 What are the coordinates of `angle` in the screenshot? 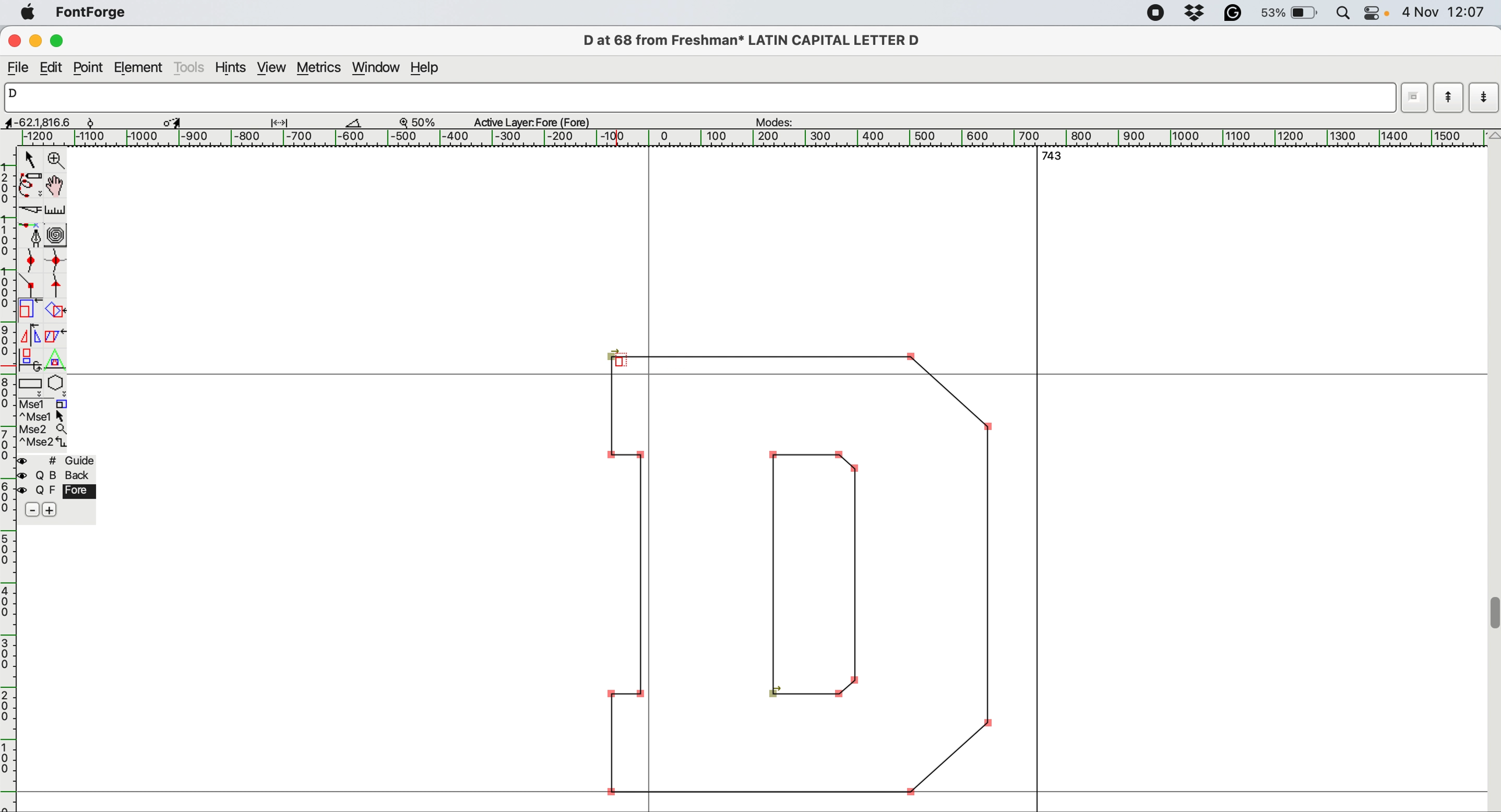 It's located at (352, 123).